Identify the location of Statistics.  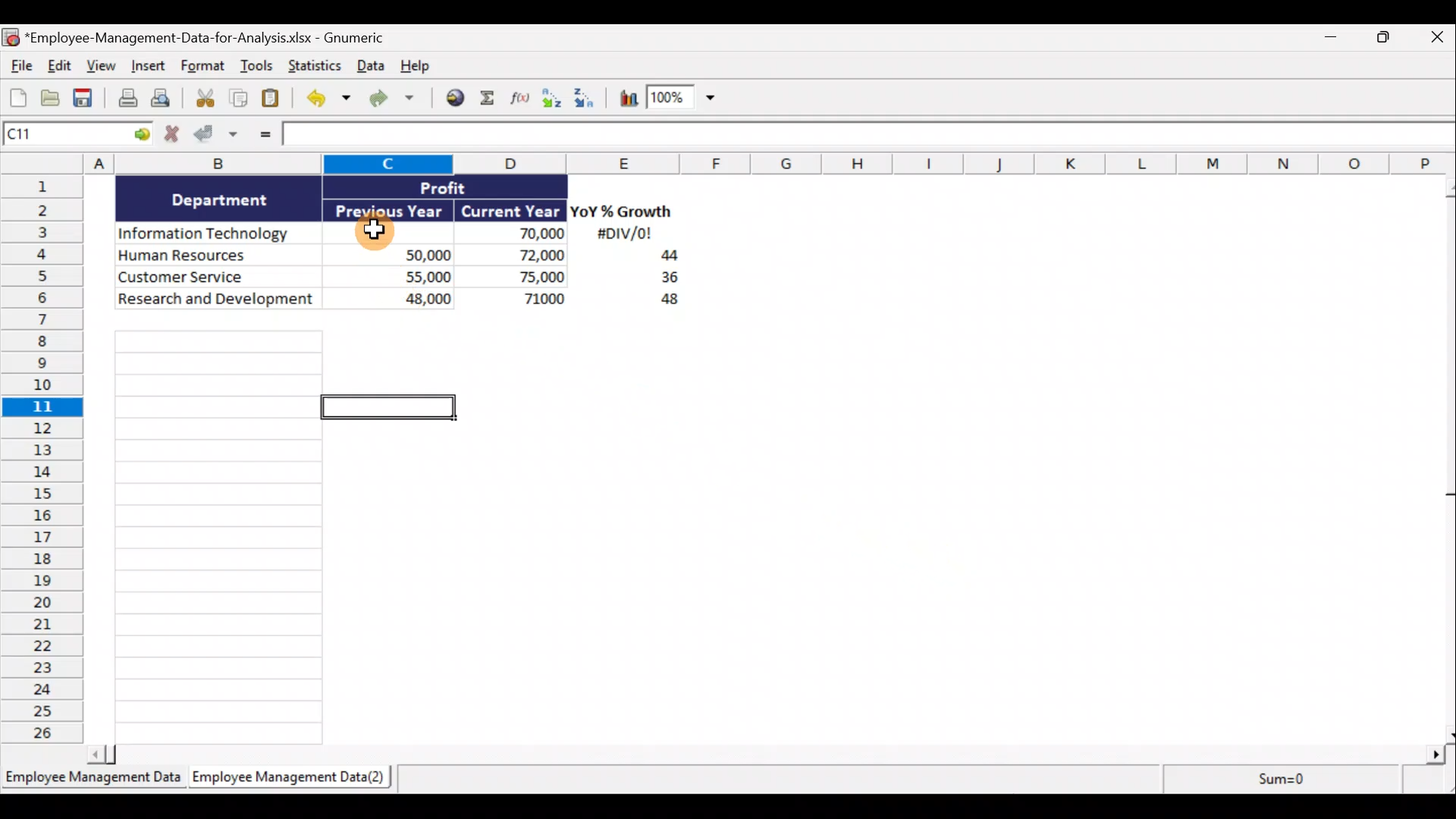
(313, 65).